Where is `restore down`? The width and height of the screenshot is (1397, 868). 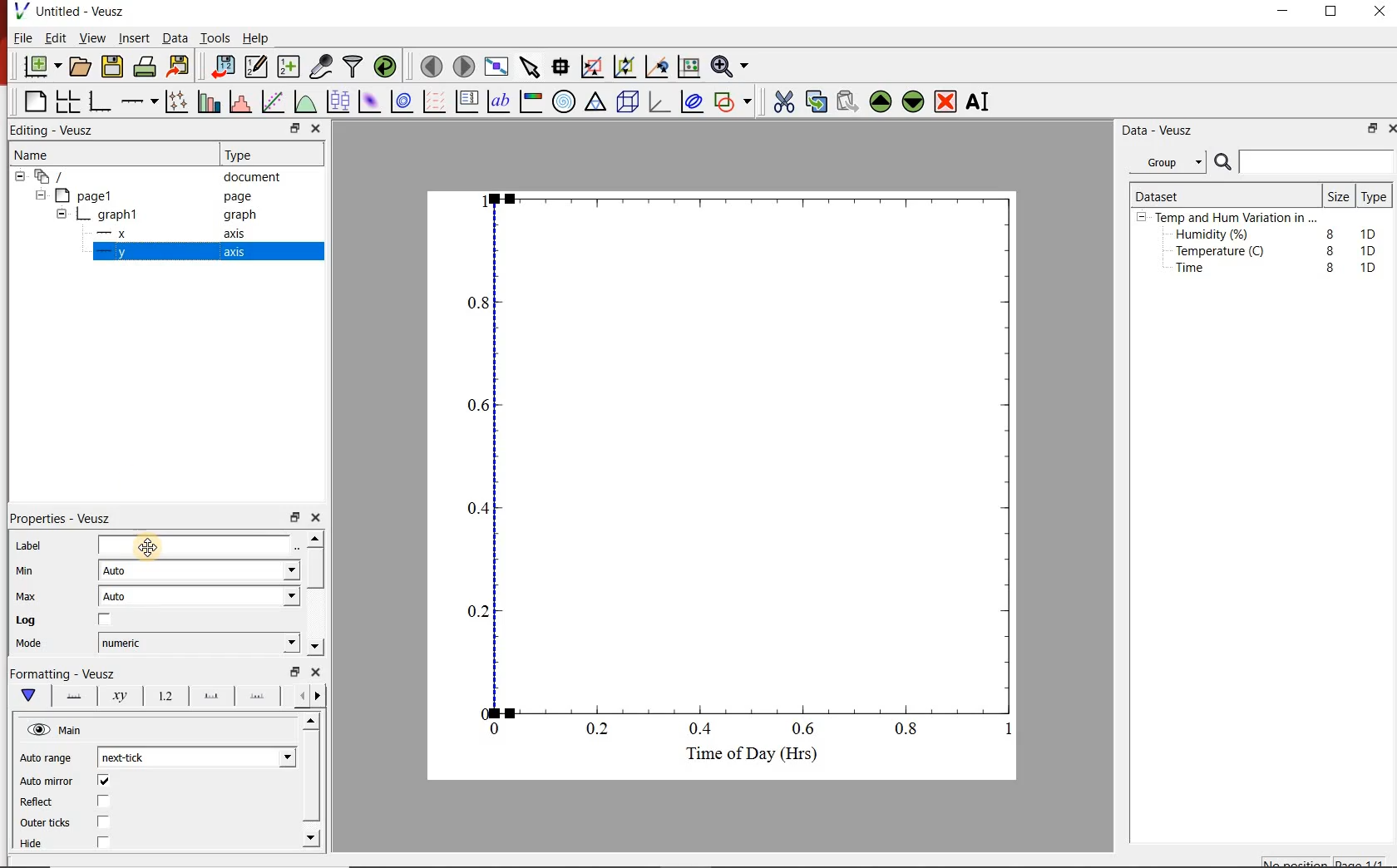 restore down is located at coordinates (1369, 131).